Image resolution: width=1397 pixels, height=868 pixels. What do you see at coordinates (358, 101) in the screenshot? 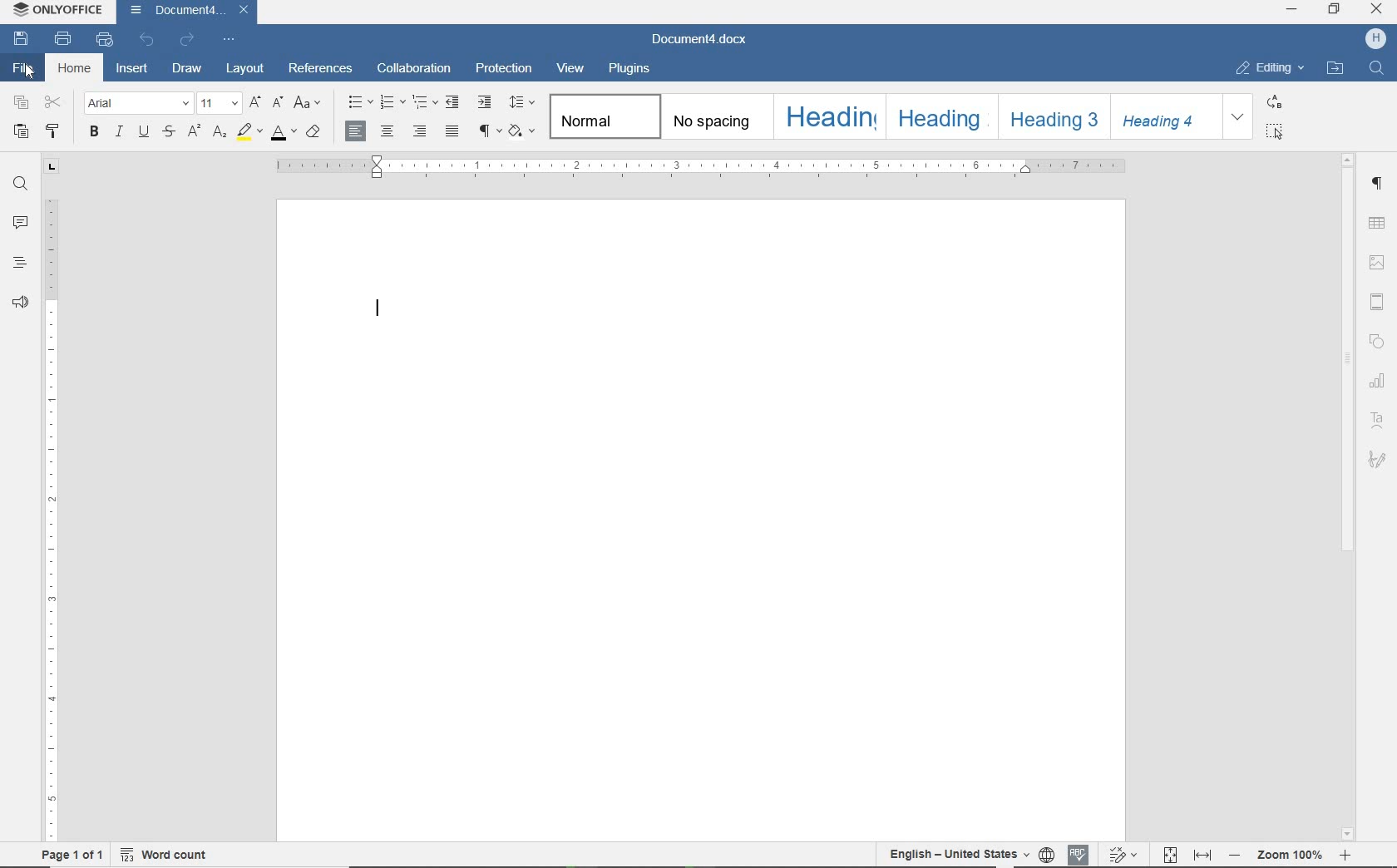
I see `bullets` at bounding box center [358, 101].